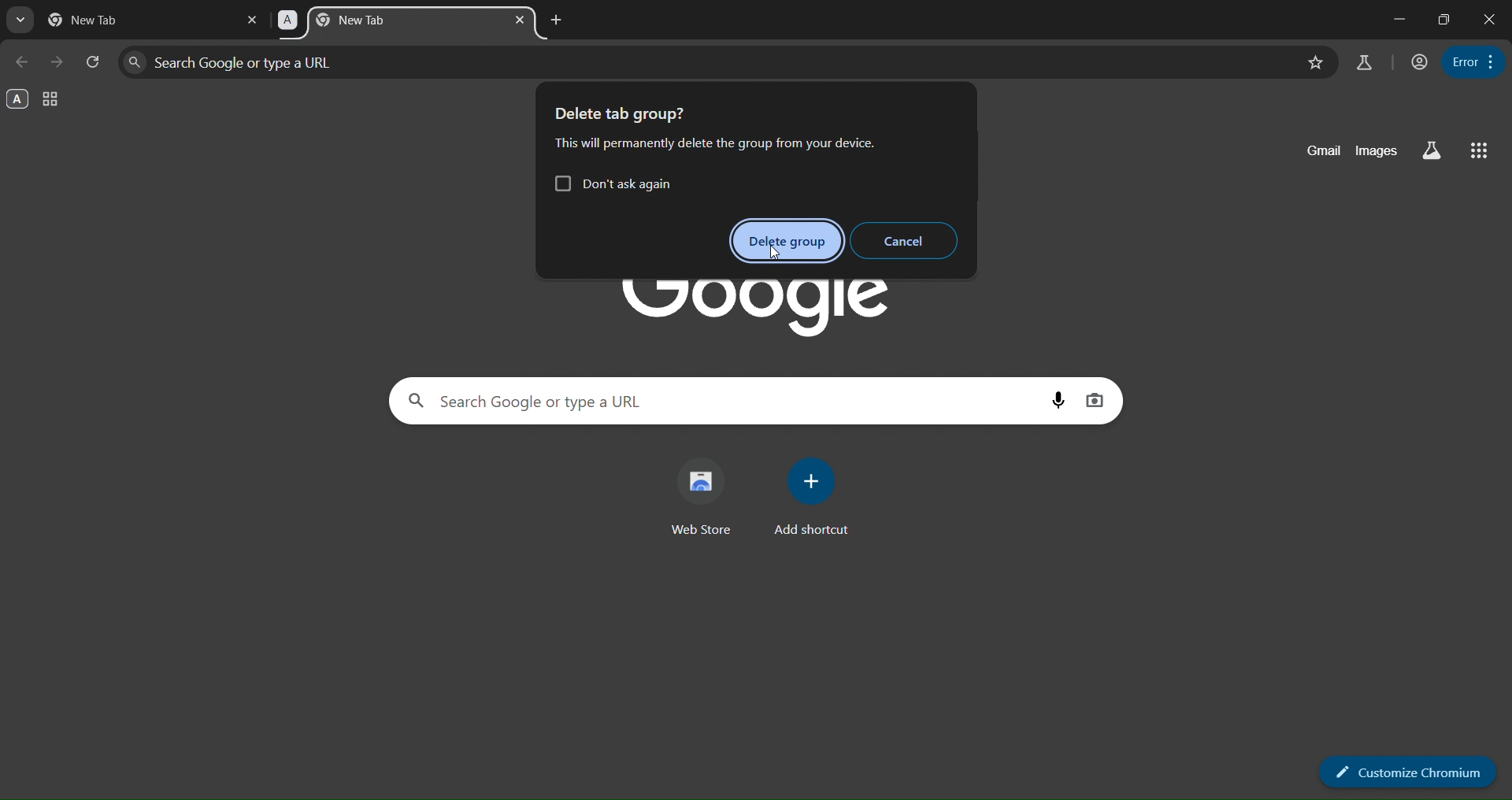 Image resolution: width=1512 pixels, height=800 pixels. Describe the element at coordinates (775, 255) in the screenshot. I see `cursor` at that location.